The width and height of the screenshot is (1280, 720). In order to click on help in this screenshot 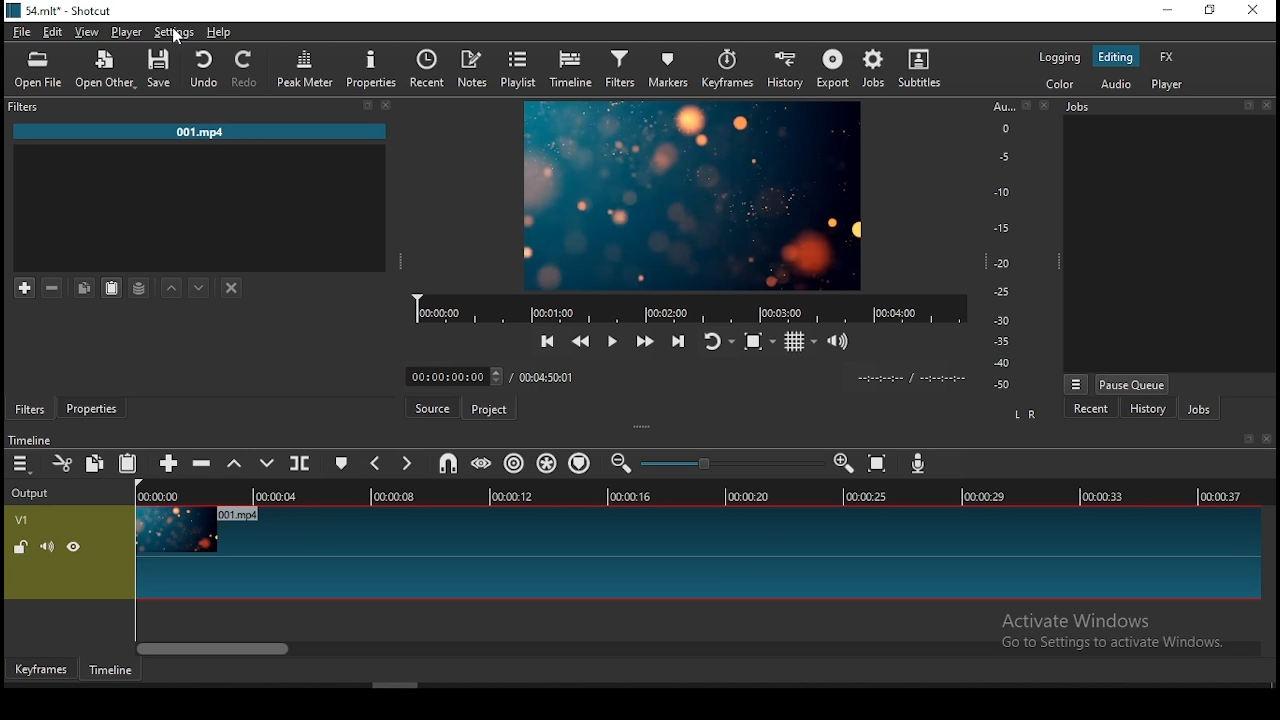, I will do `click(219, 32)`.